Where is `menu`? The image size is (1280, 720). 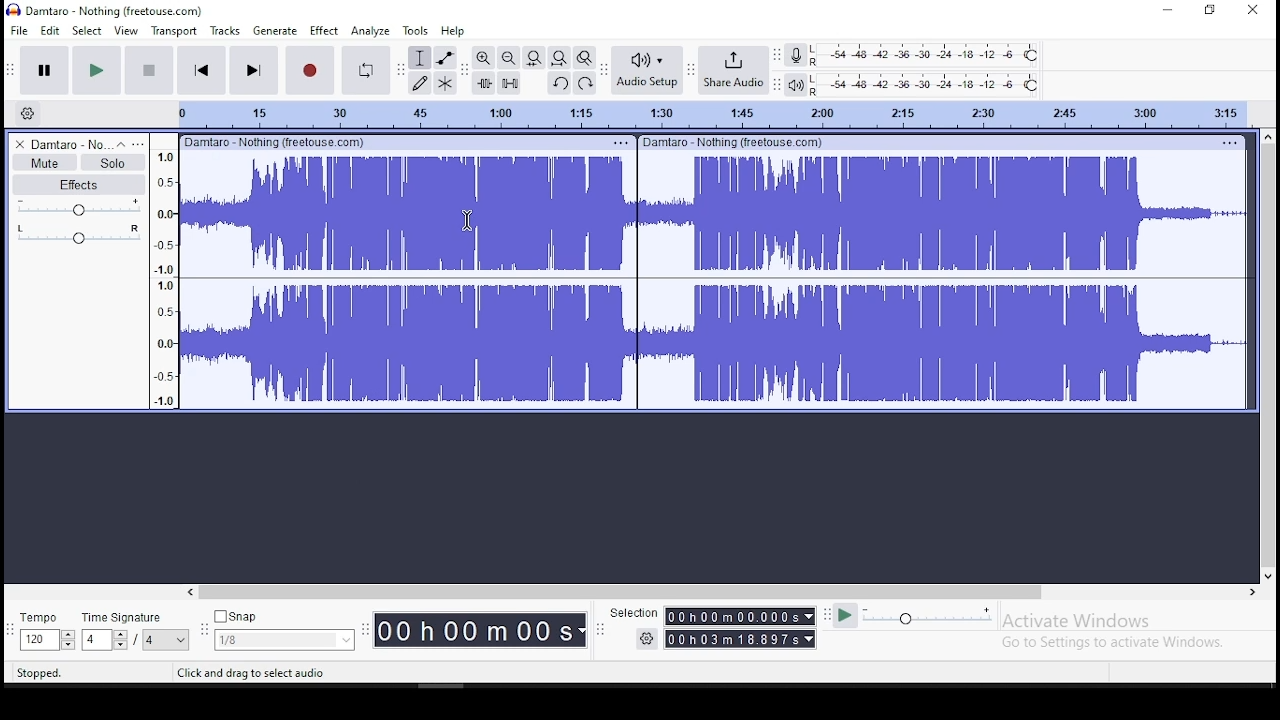
menu is located at coordinates (1227, 142).